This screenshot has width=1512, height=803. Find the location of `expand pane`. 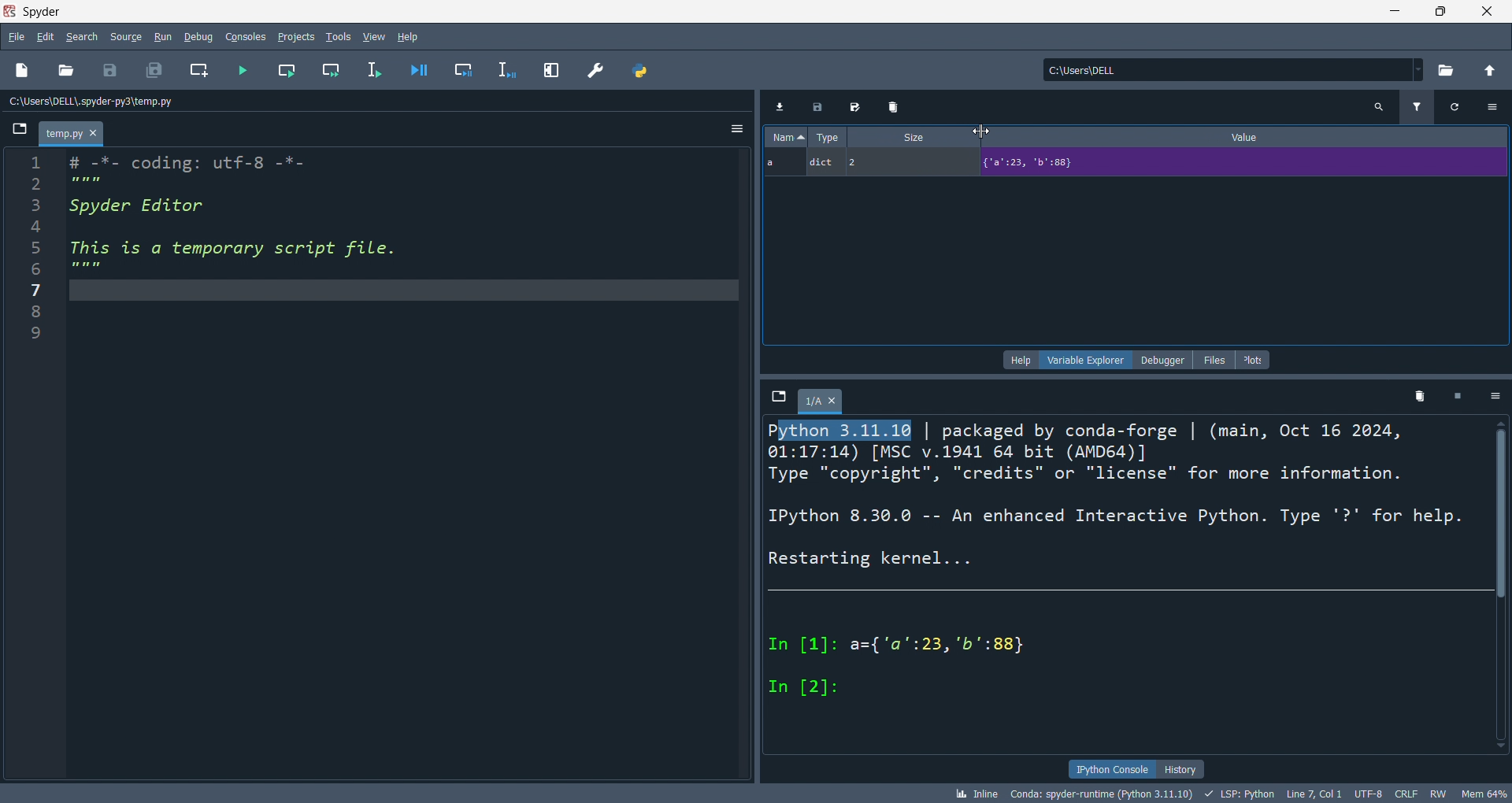

expand pane is located at coordinates (548, 68).